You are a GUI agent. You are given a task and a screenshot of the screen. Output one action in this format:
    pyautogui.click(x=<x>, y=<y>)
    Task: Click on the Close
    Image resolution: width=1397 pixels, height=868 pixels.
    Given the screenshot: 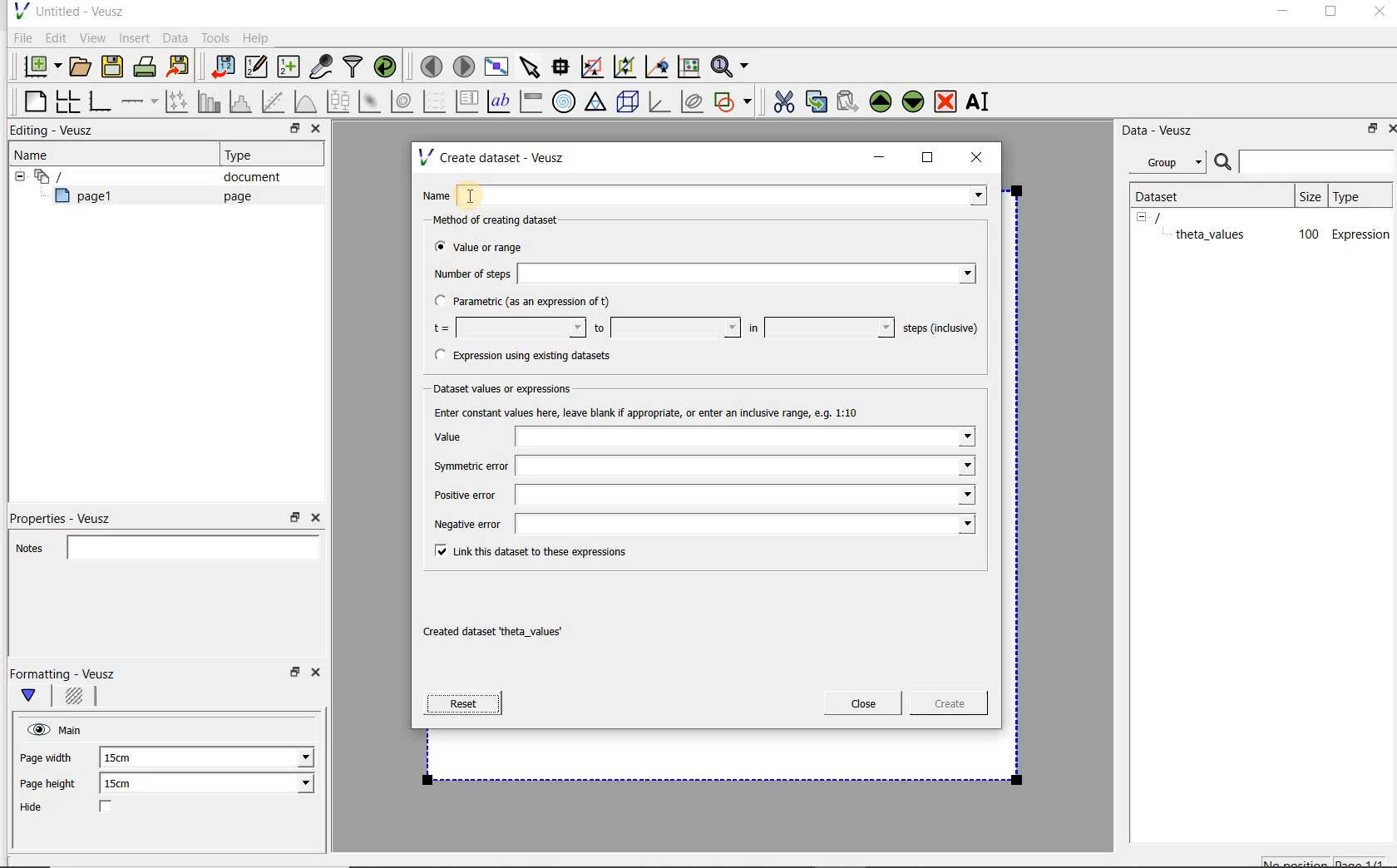 What is the action you would take?
    pyautogui.click(x=863, y=703)
    